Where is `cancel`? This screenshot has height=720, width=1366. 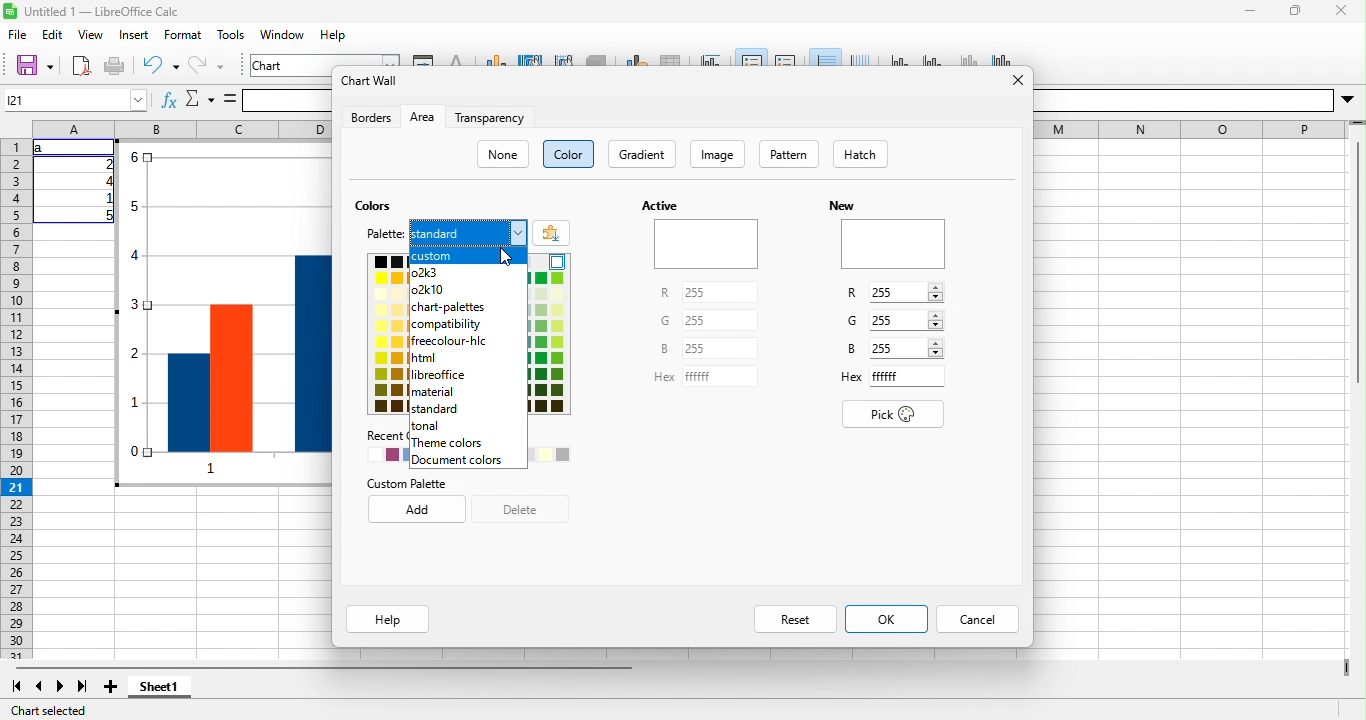 cancel is located at coordinates (977, 619).